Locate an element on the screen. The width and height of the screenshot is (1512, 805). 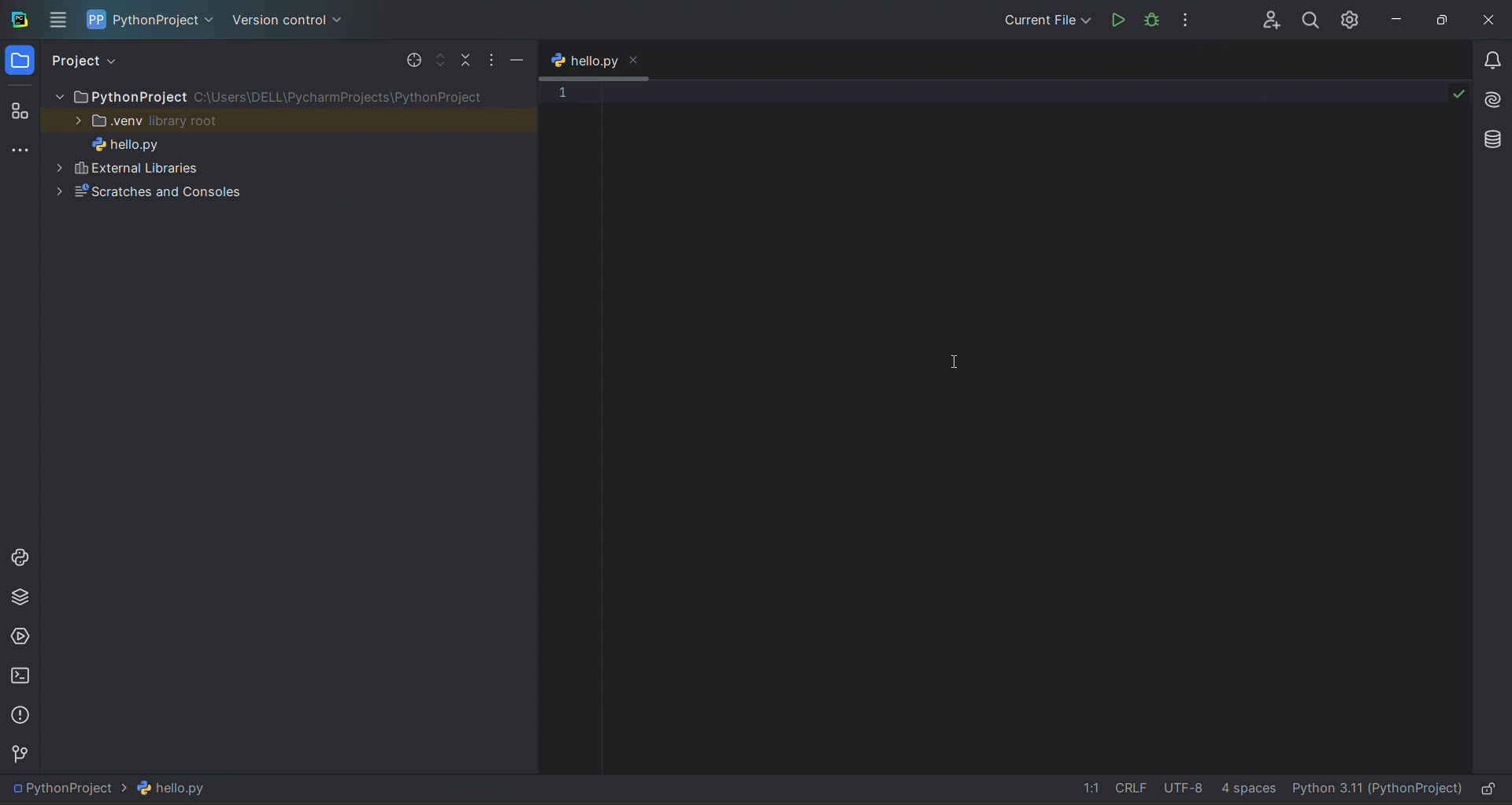
Scratches and Consoles is located at coordinates (167, 198).